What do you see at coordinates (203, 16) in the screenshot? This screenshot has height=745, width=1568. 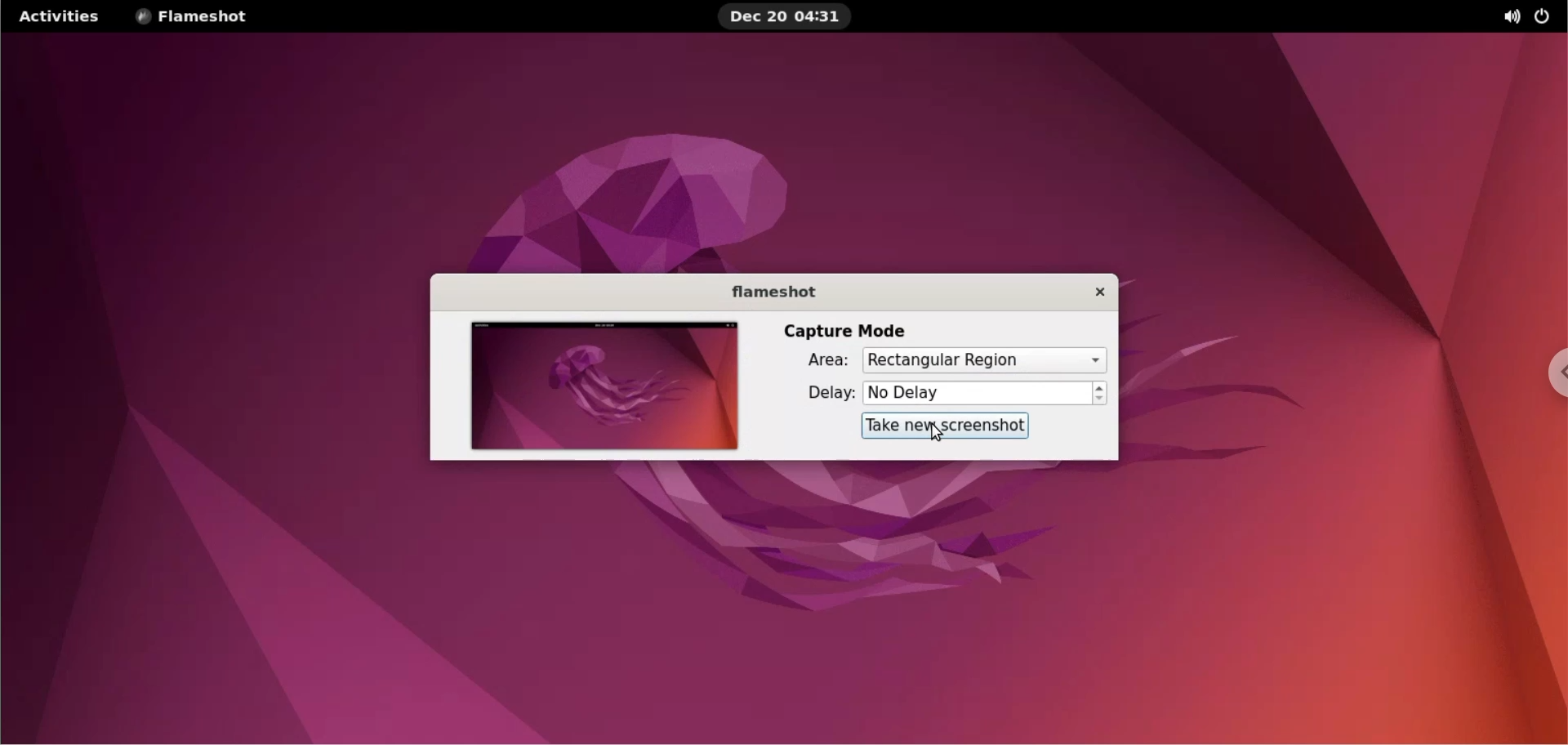 I see `flameshot menu` at bounding box center [203, 16].